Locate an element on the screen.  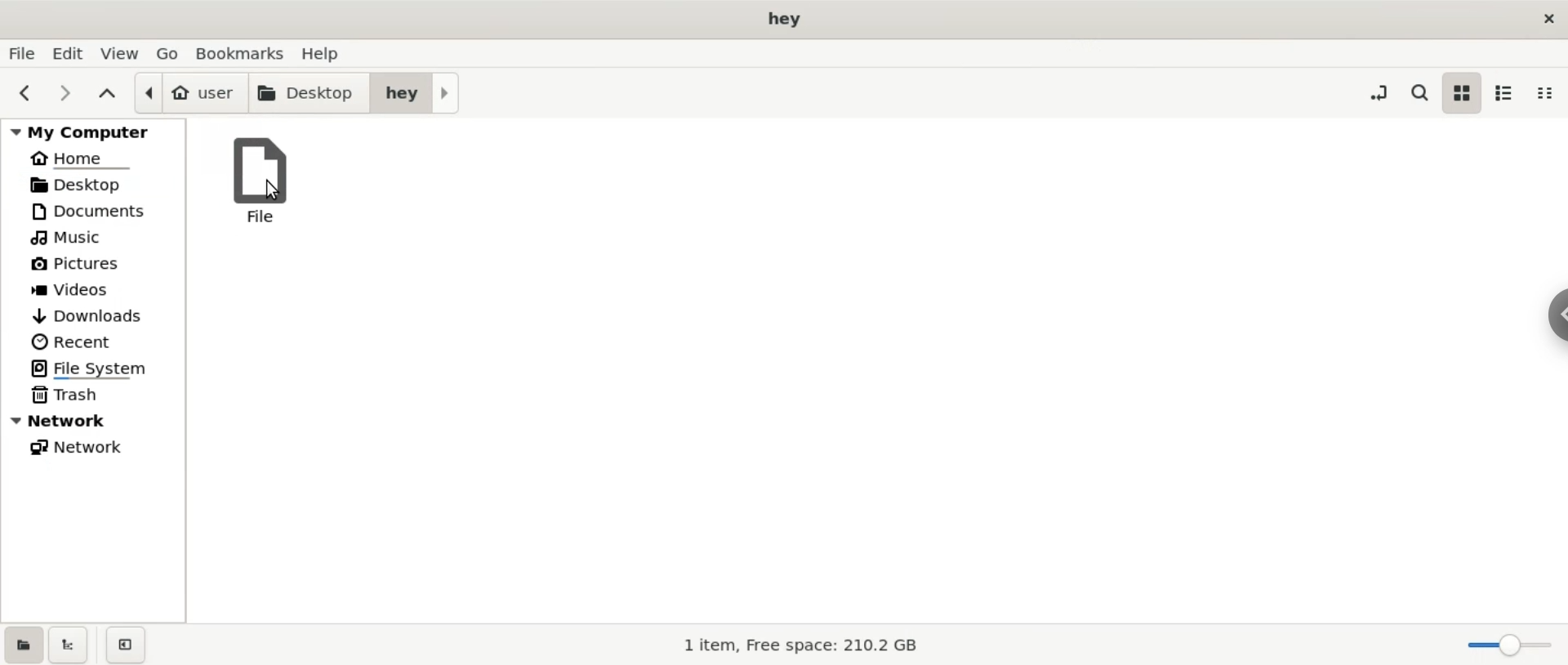
toggle location entry is located at coordinates (1379, 95).